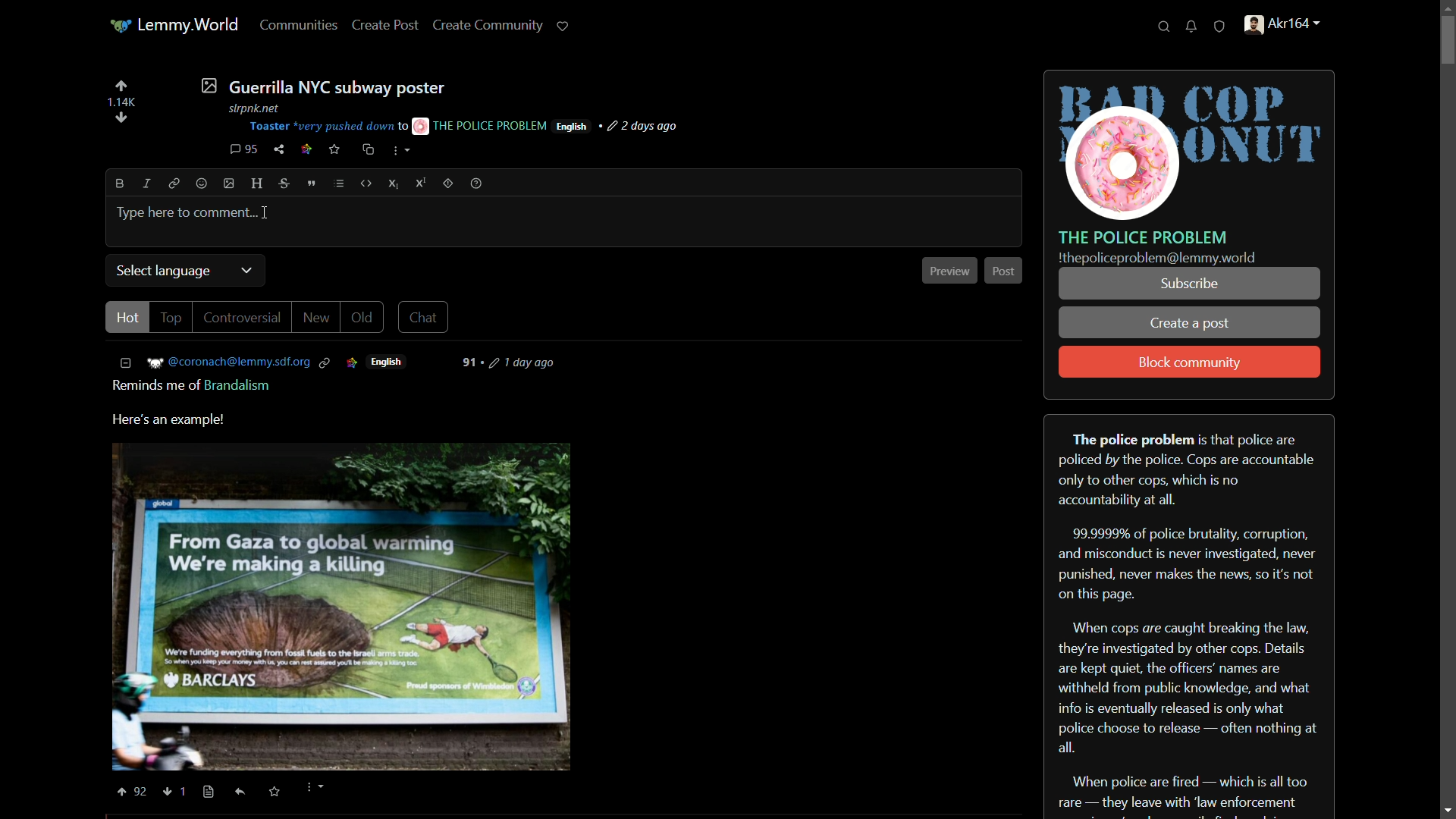  I want to click on about server, so click(1189, 615).